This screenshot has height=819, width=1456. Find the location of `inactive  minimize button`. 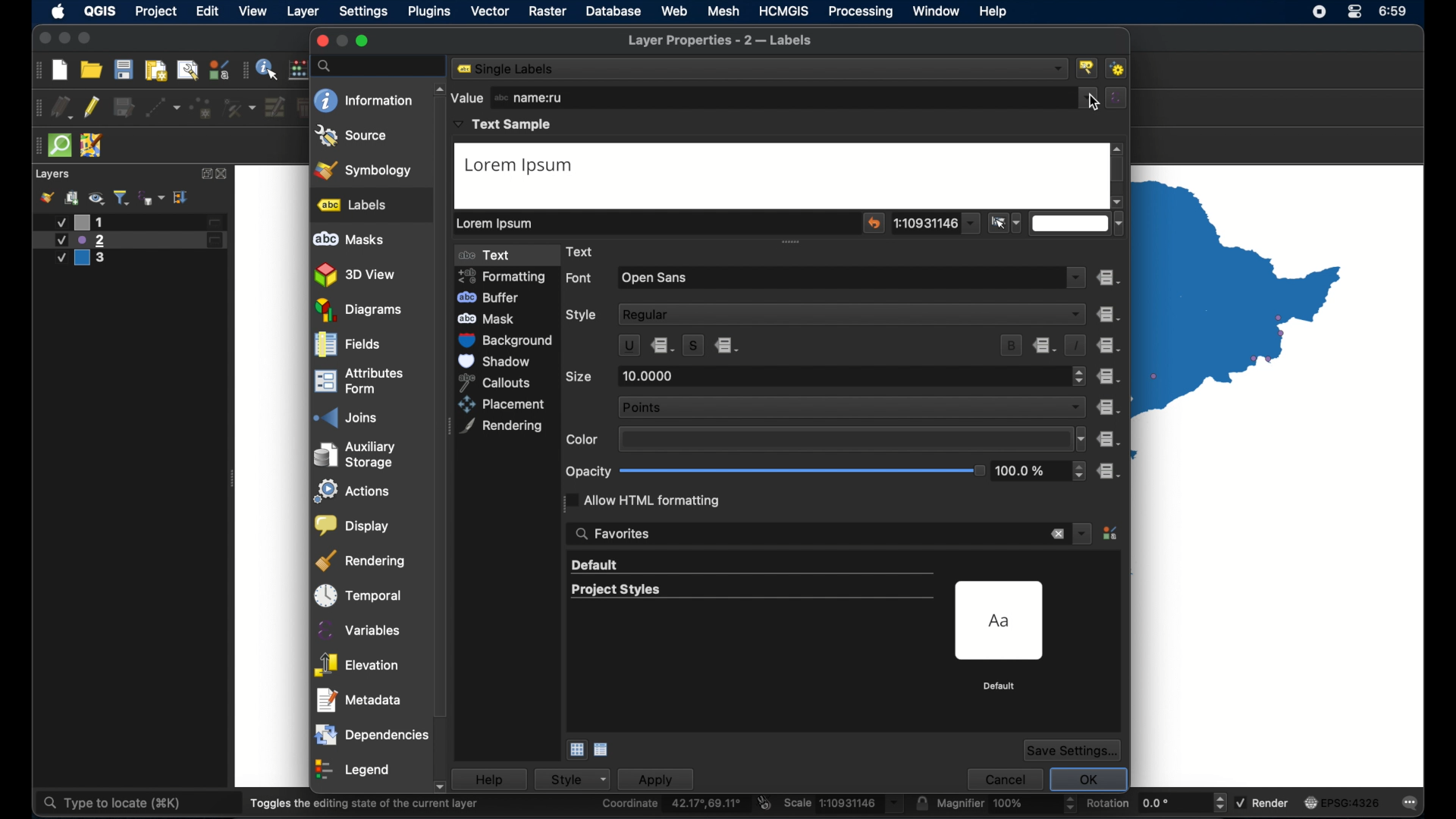

inactive  minimize button is located at coordinates (342, 41).